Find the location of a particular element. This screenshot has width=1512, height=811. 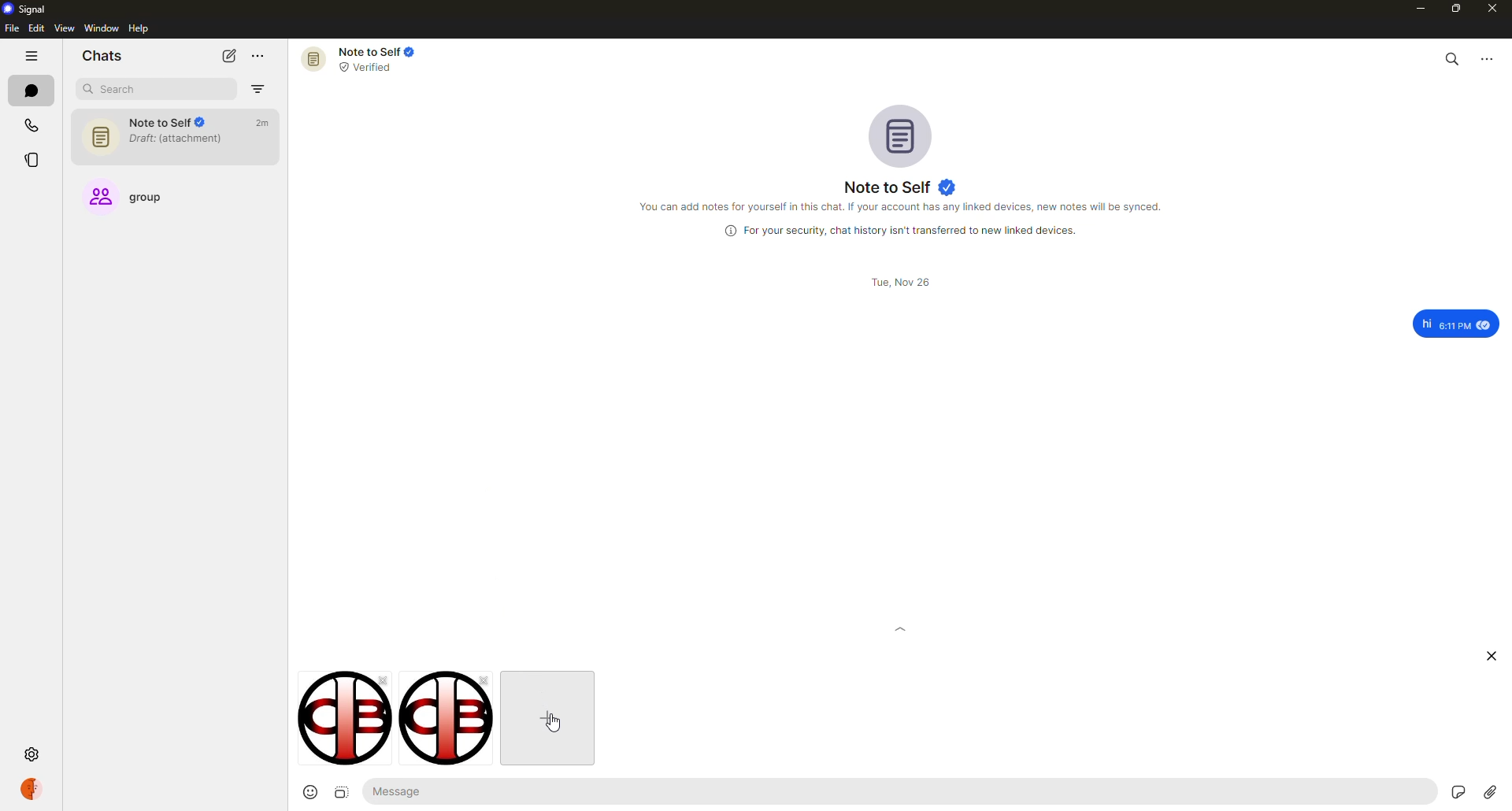

profile is located at coordinates (31, 788).